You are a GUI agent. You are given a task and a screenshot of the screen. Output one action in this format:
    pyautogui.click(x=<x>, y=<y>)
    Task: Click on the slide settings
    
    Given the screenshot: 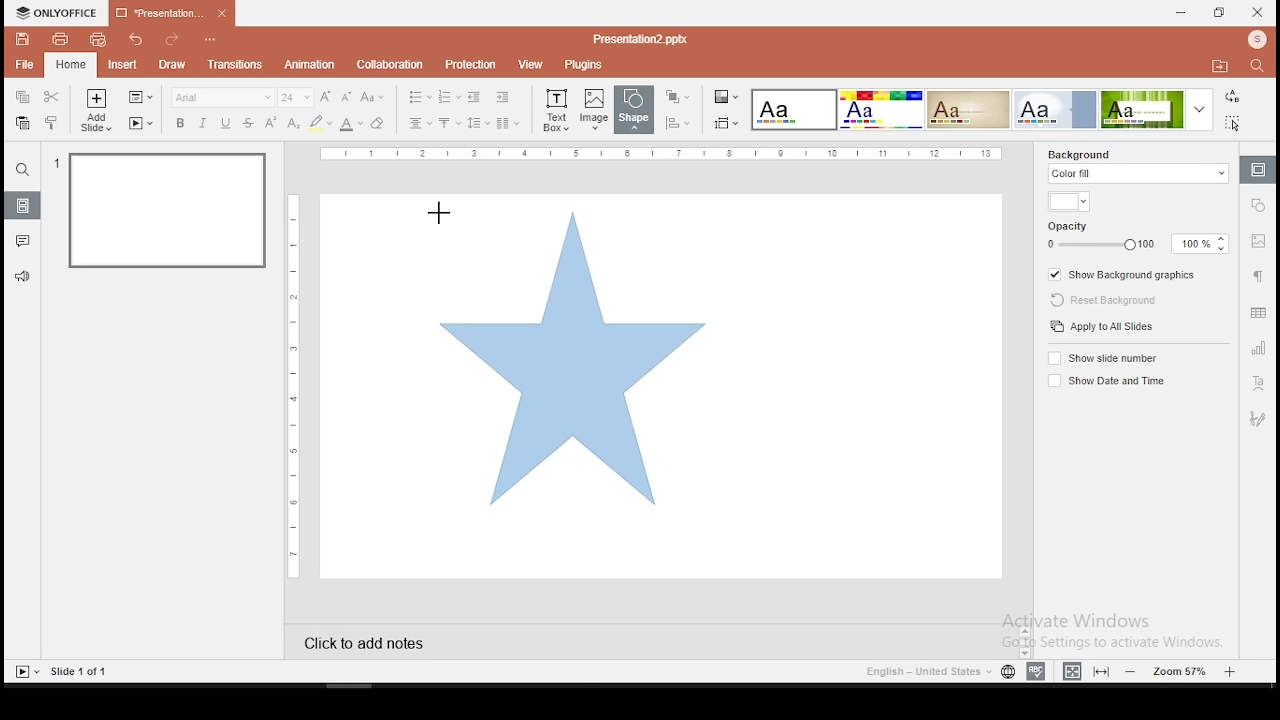 What is the action you would take?
    pyautogui.click(x=1256, y=170)
    